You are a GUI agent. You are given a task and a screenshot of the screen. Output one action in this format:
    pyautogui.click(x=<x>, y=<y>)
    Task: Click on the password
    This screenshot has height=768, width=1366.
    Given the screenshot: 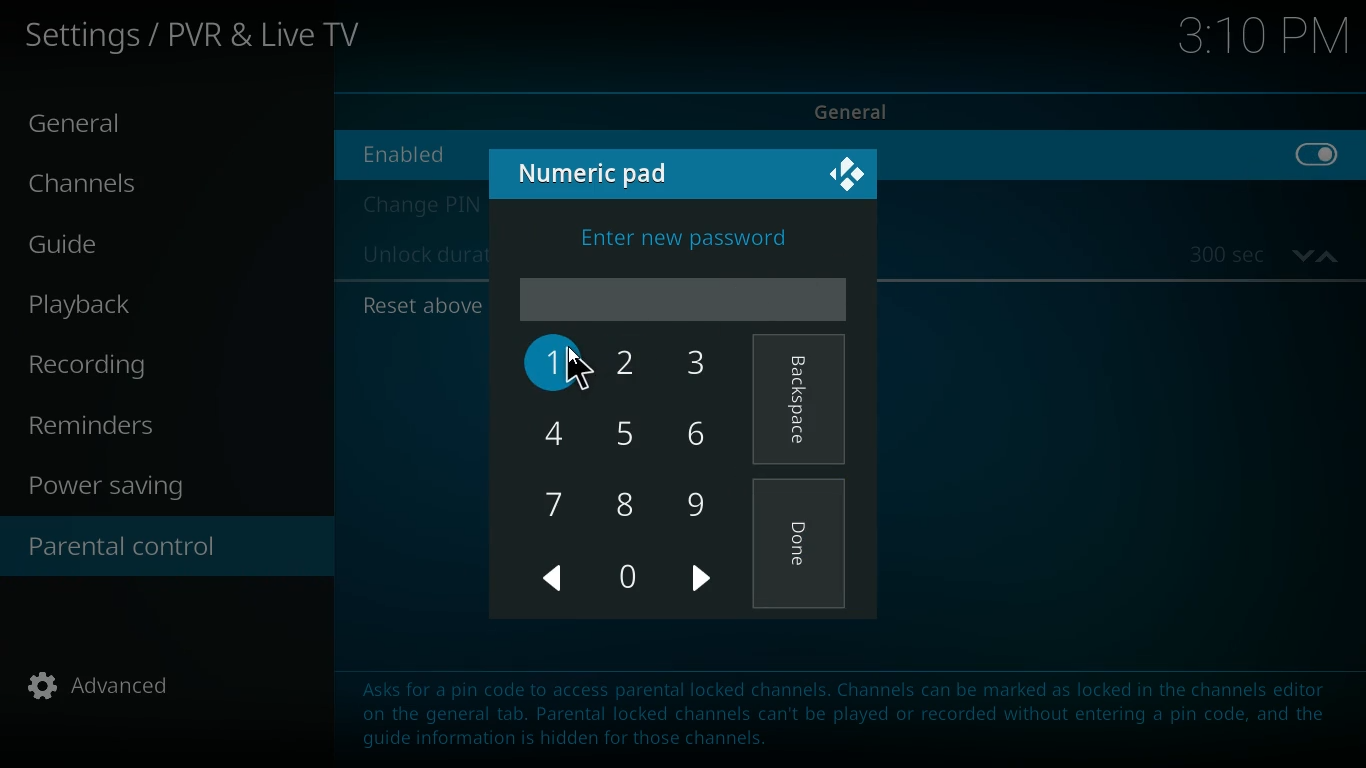 What is the action you would take?
    pyautogui.click(x=683, y=297)
    